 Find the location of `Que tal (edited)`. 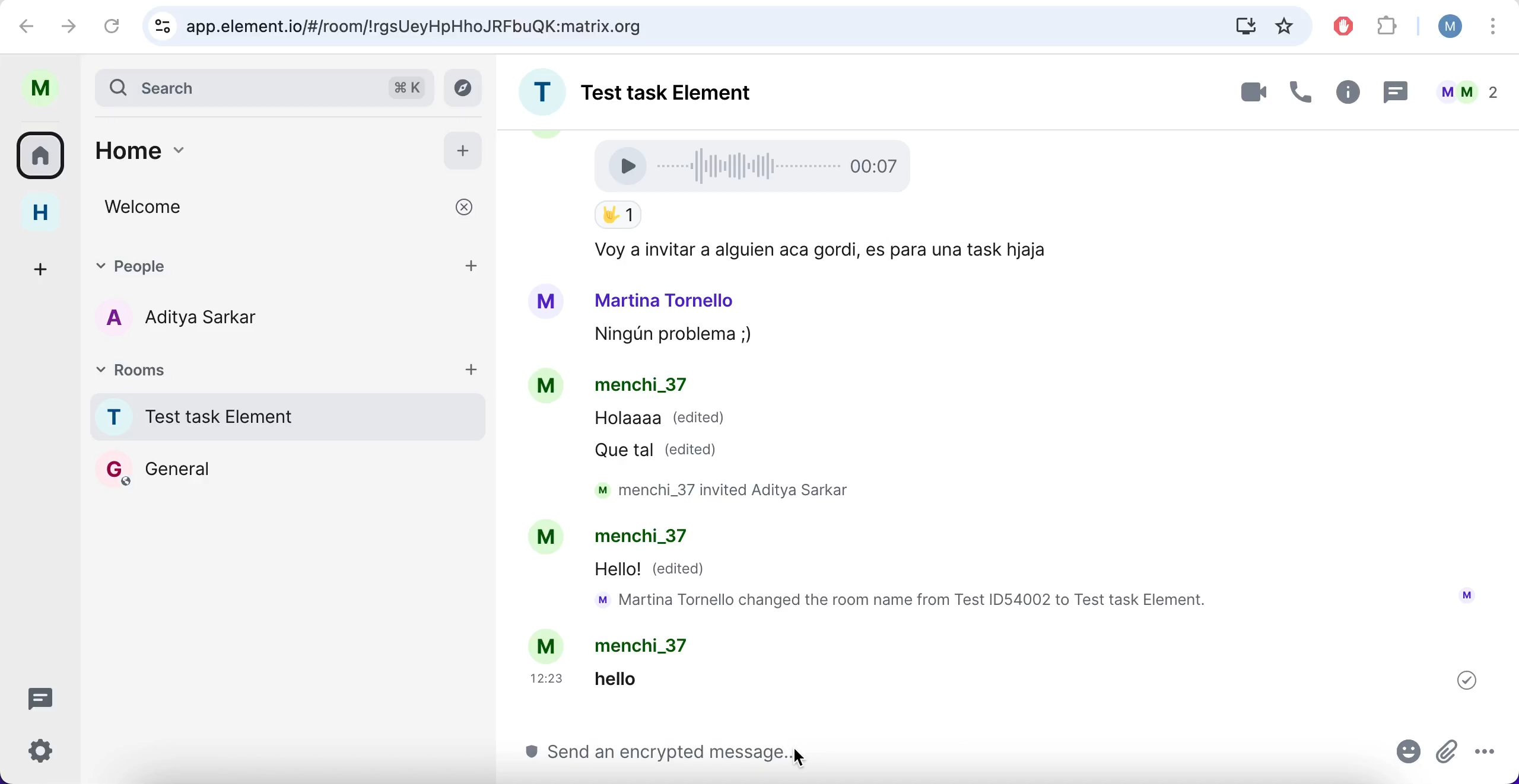

Que tal (edited) is located at coordinates (662, 450).